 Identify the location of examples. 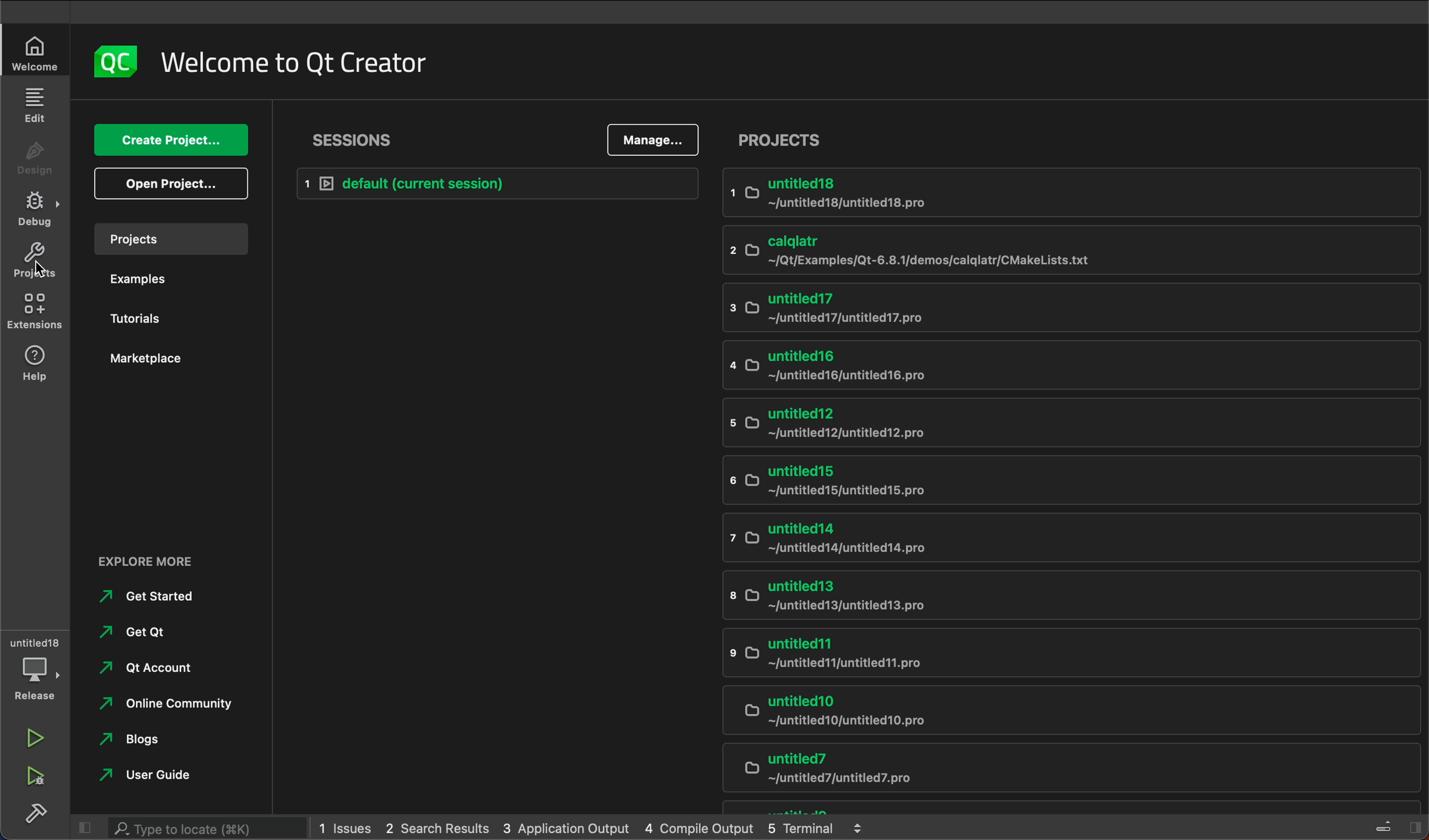
(159, 275).